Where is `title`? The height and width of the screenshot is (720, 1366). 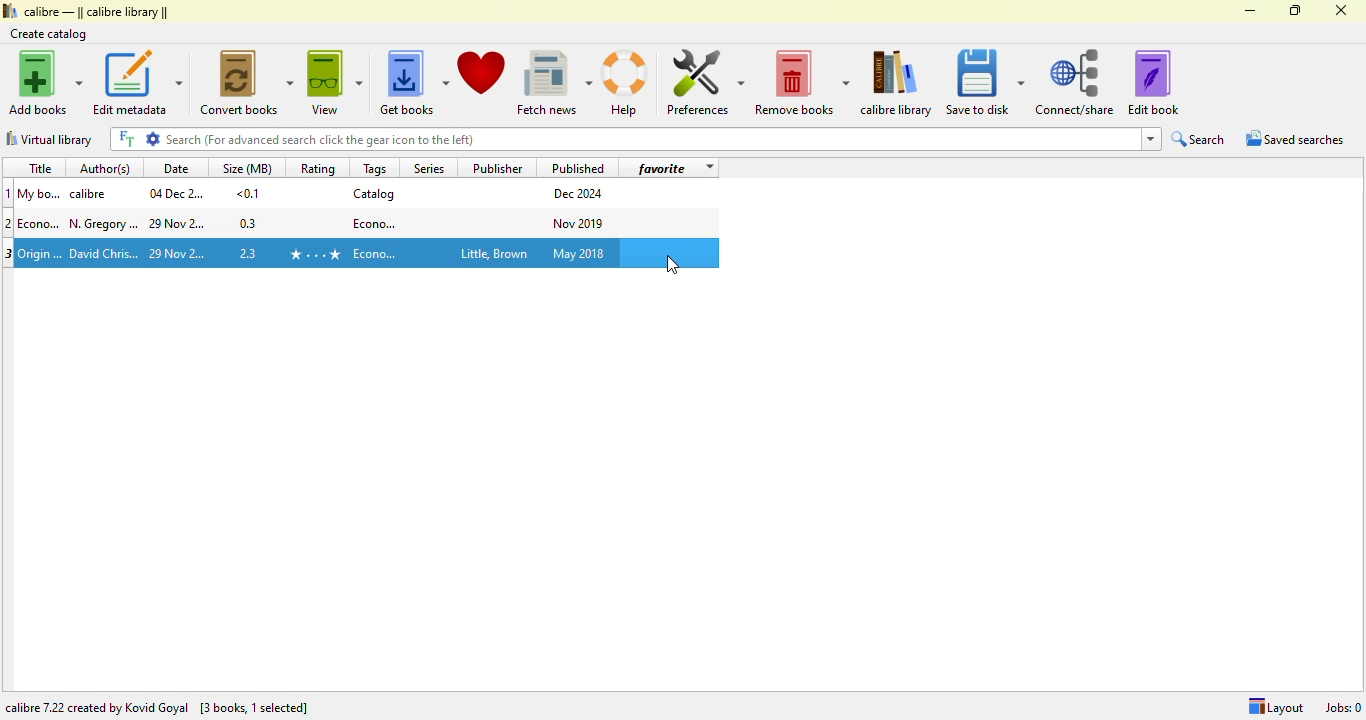 title is located at coordinates (41, 252).